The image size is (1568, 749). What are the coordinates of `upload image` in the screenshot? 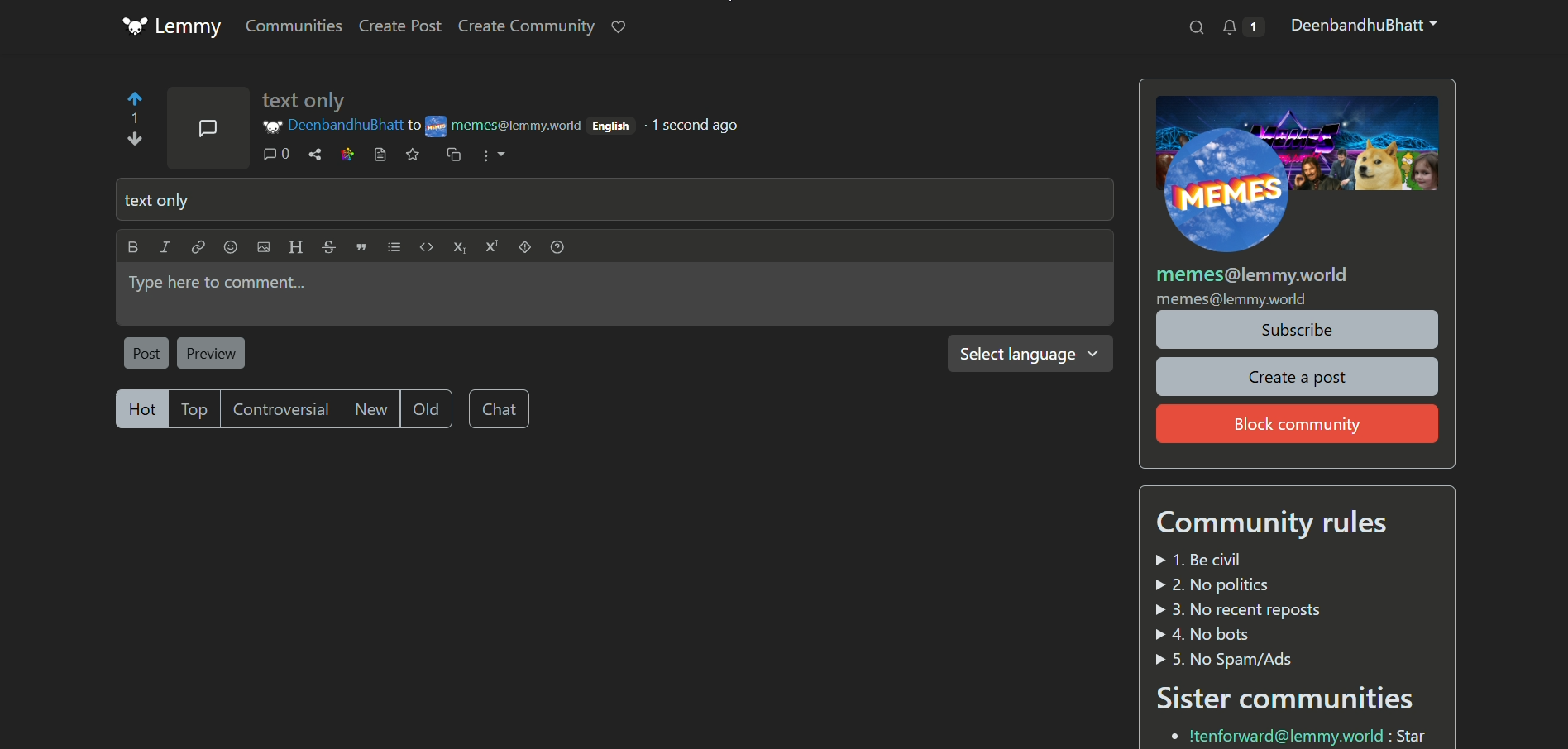 It's located at (263, 247).